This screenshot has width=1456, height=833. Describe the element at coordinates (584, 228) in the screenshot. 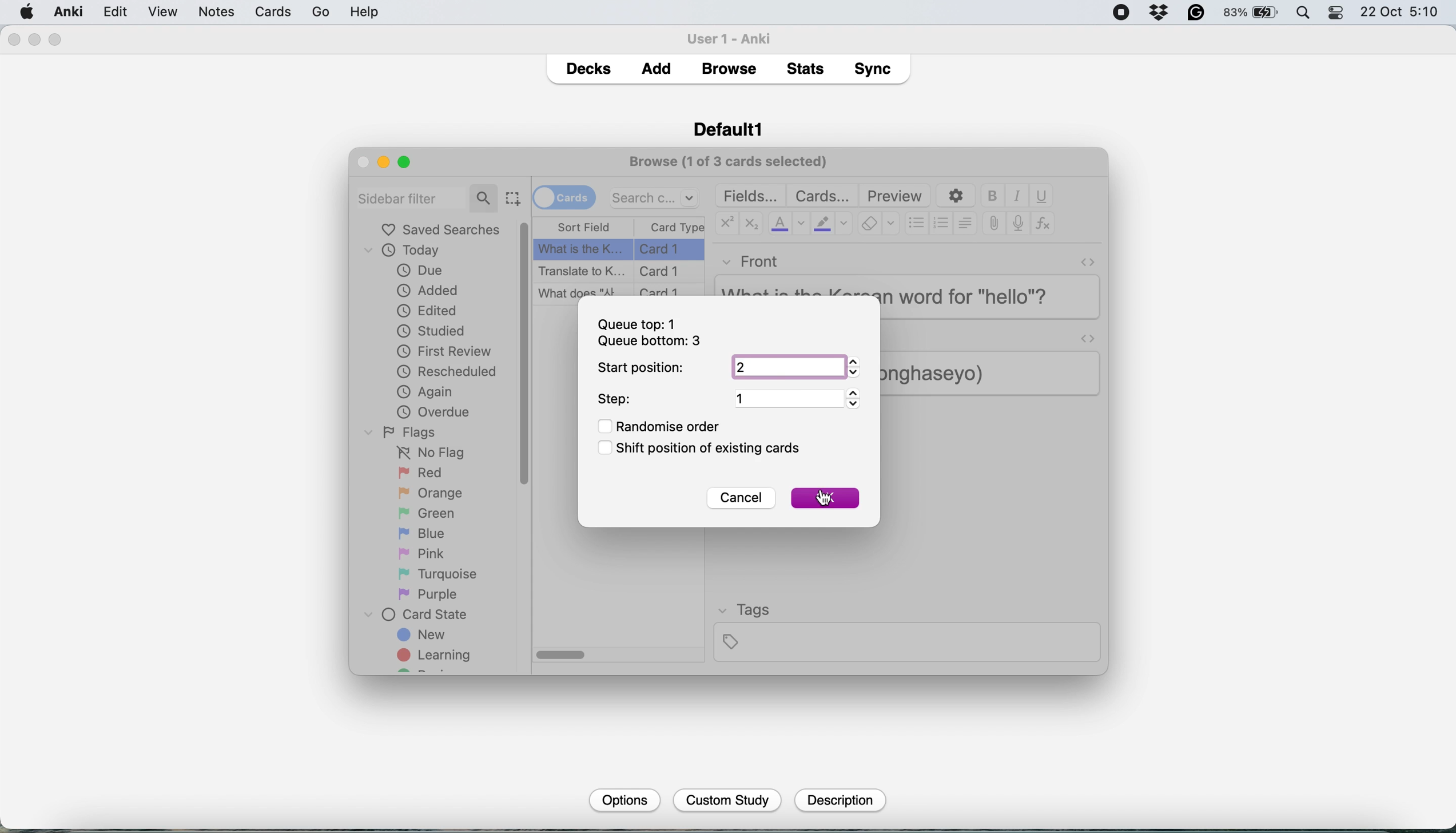

I see `sort field` at that location.